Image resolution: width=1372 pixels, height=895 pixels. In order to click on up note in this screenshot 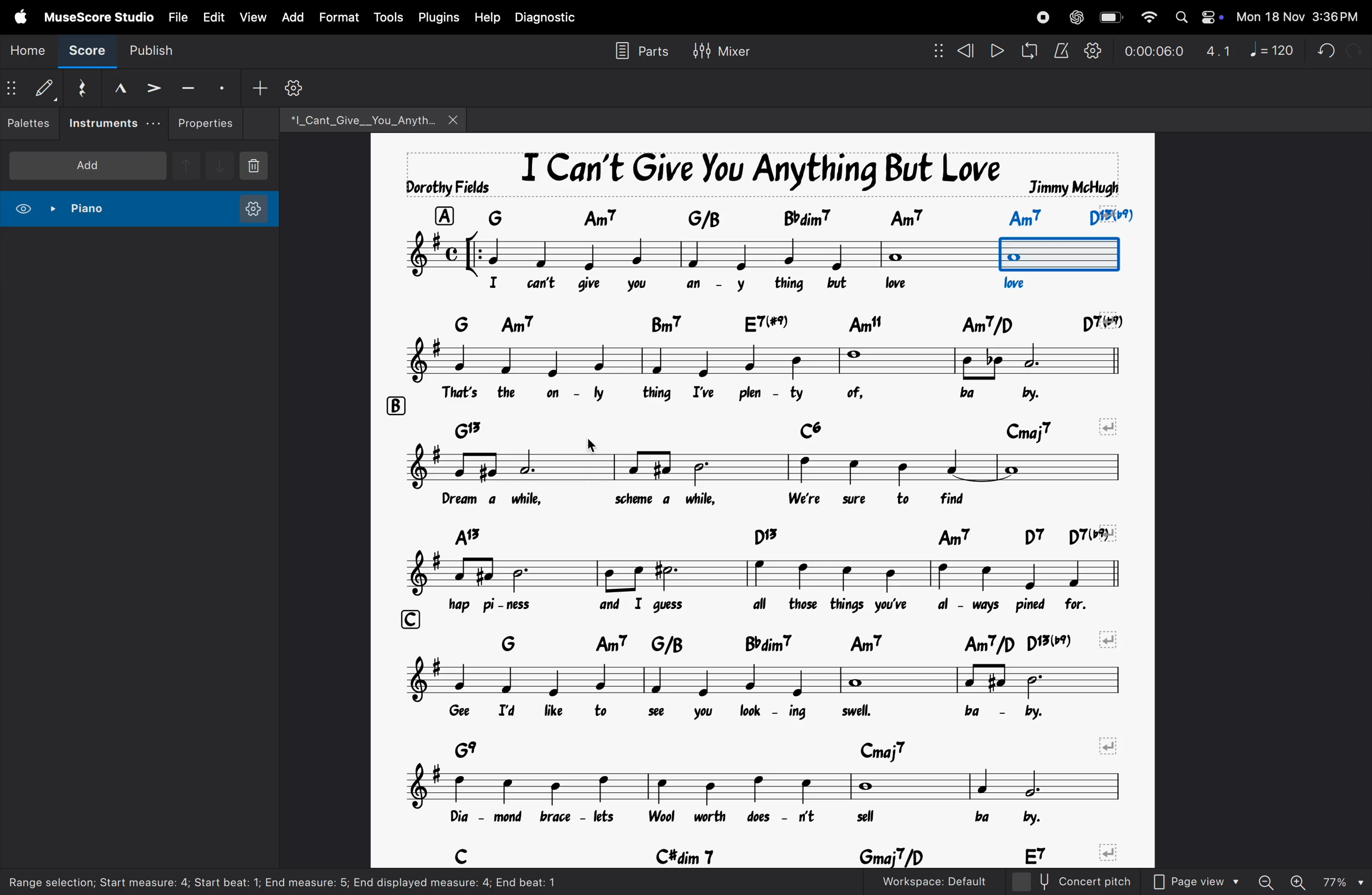, I will do `click(186, 166)`.